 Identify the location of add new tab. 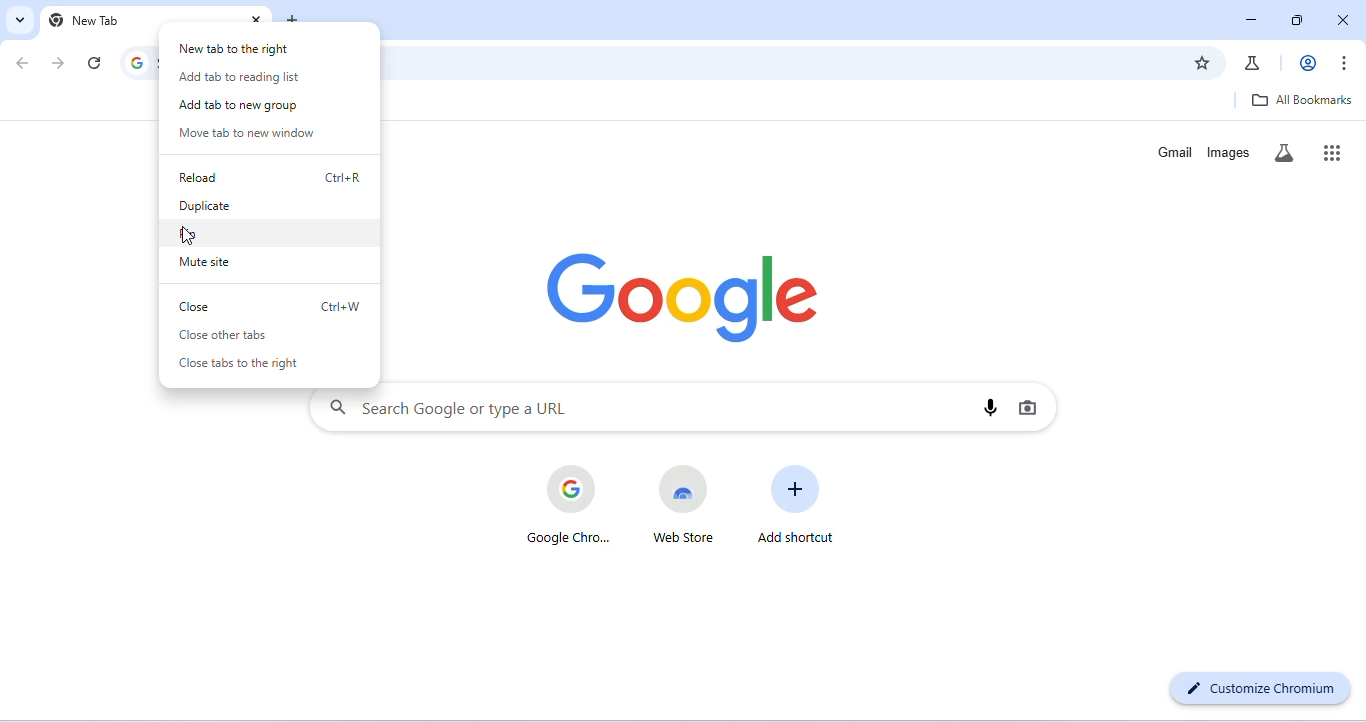
(295, 18).